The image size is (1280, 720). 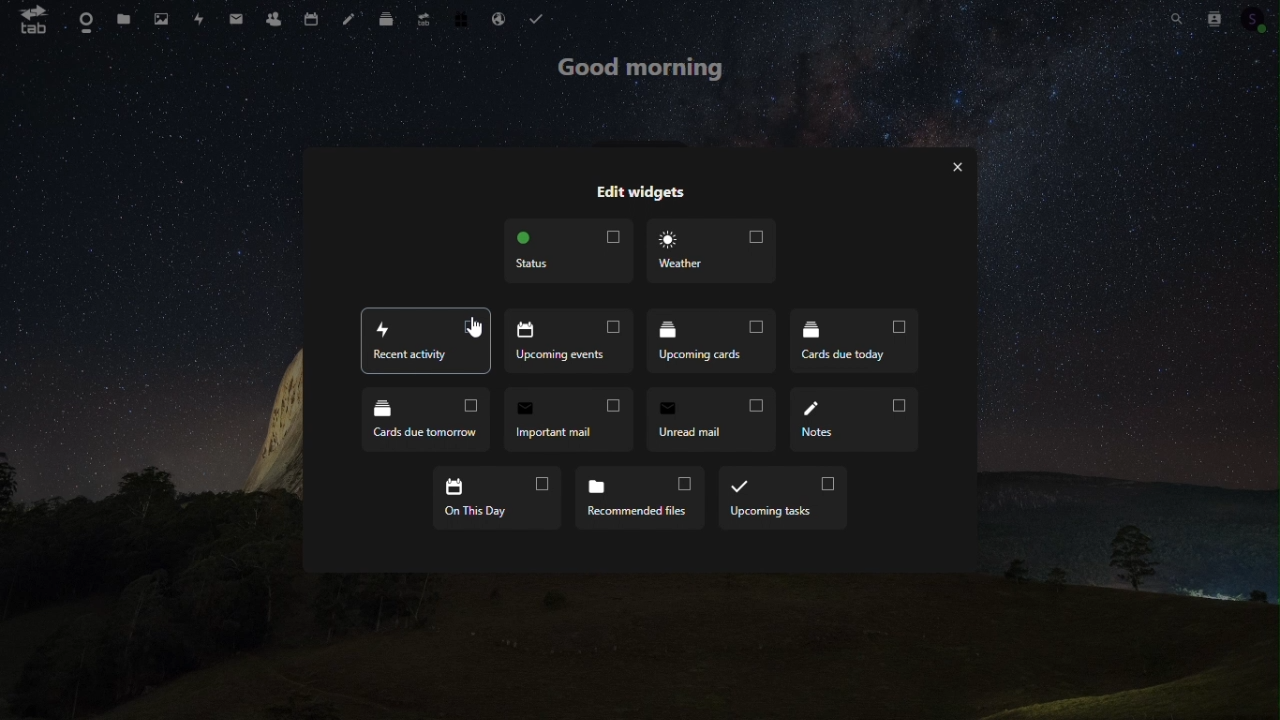 What do you see at coordinates (959, 168) in the screenshot?
I see `close` at bounding box center [959, 168].